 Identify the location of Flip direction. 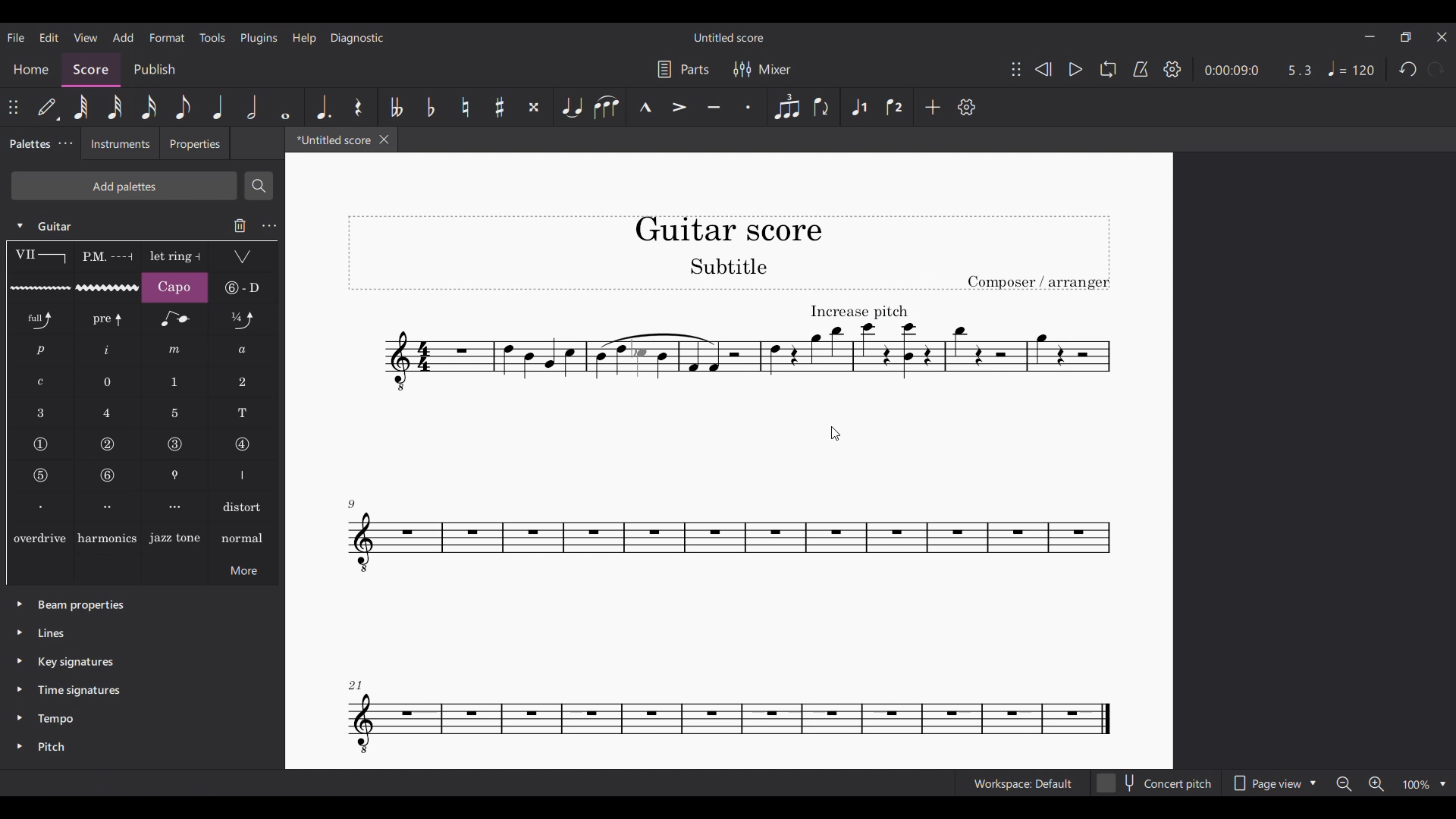
(823, 107).